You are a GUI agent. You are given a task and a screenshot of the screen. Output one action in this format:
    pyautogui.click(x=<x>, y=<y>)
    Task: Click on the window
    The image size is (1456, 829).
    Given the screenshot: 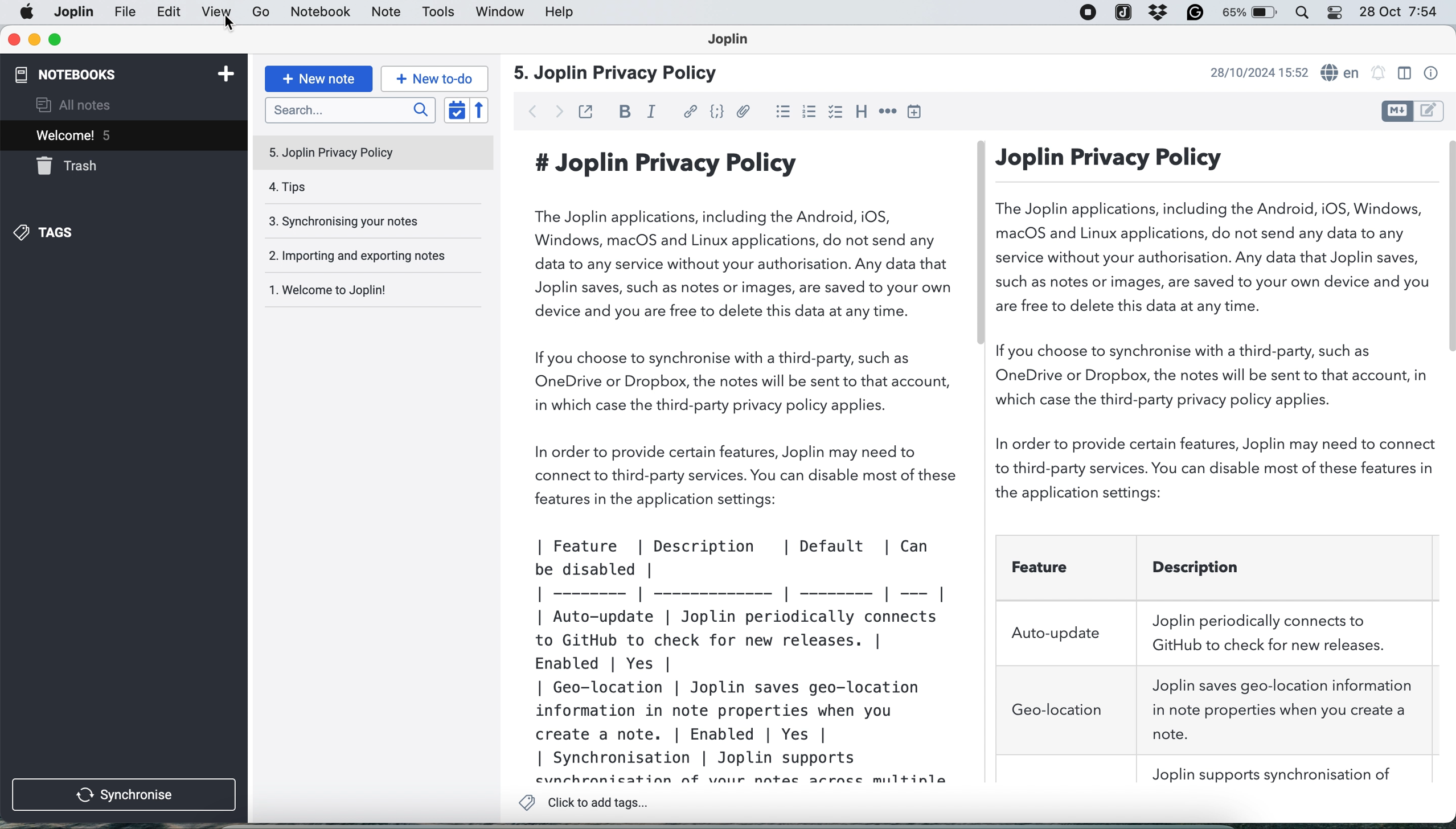 What is the action you would take?
    pyautogui.click(x=497, y=13)
    